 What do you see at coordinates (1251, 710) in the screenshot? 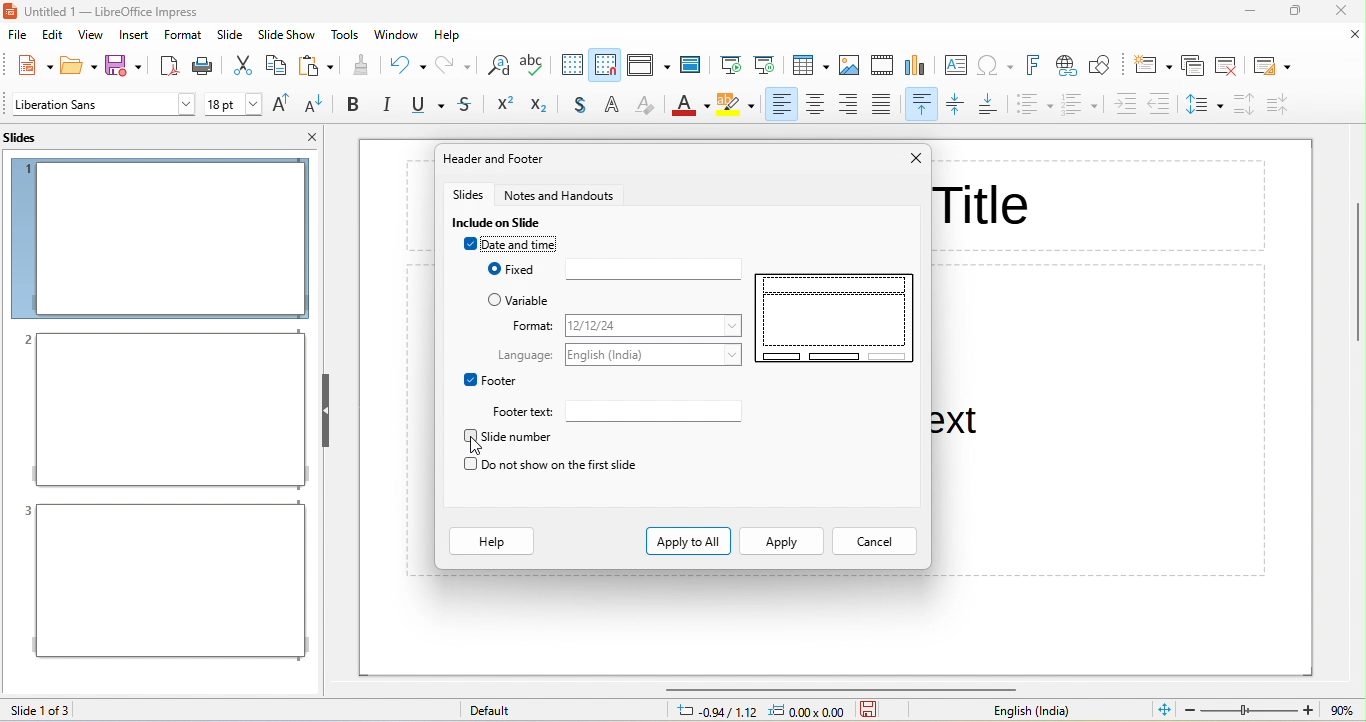
I see `zoom` at bounding box center [1251, 710].